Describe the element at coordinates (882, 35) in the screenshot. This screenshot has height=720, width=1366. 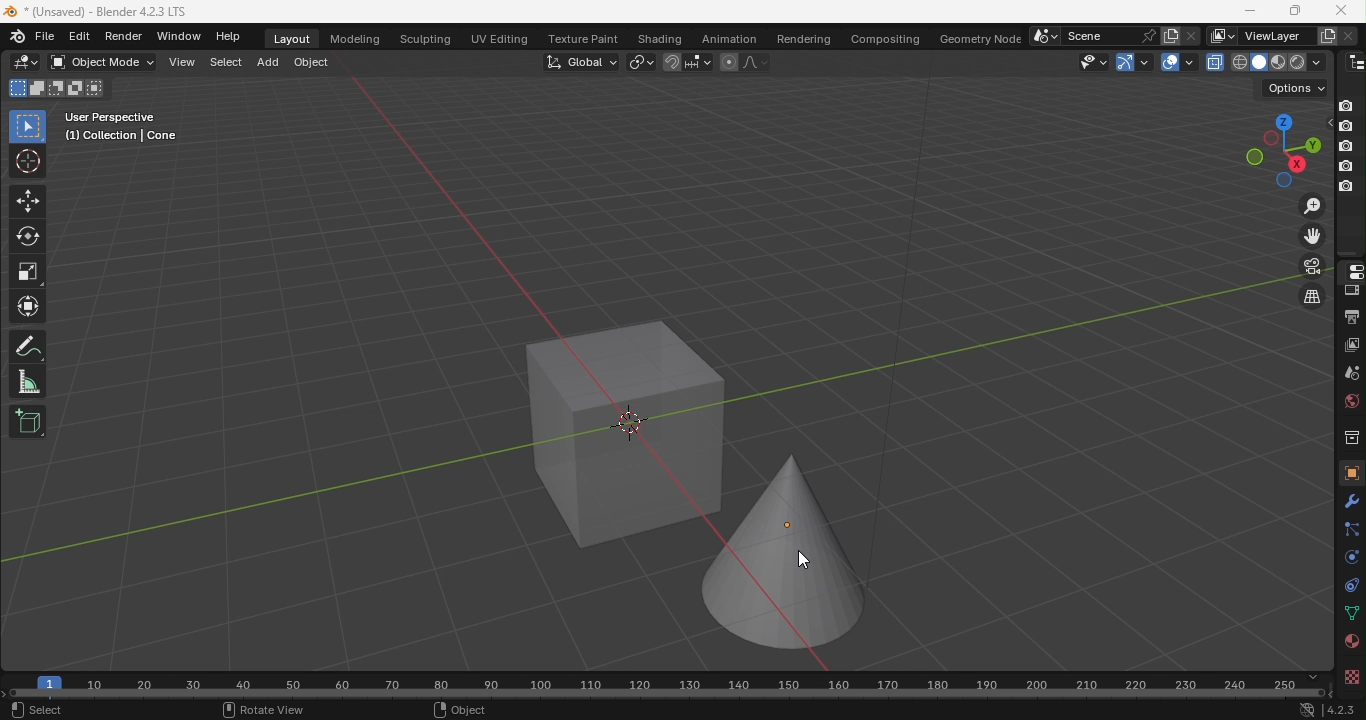
I see `Compositing` at that location.